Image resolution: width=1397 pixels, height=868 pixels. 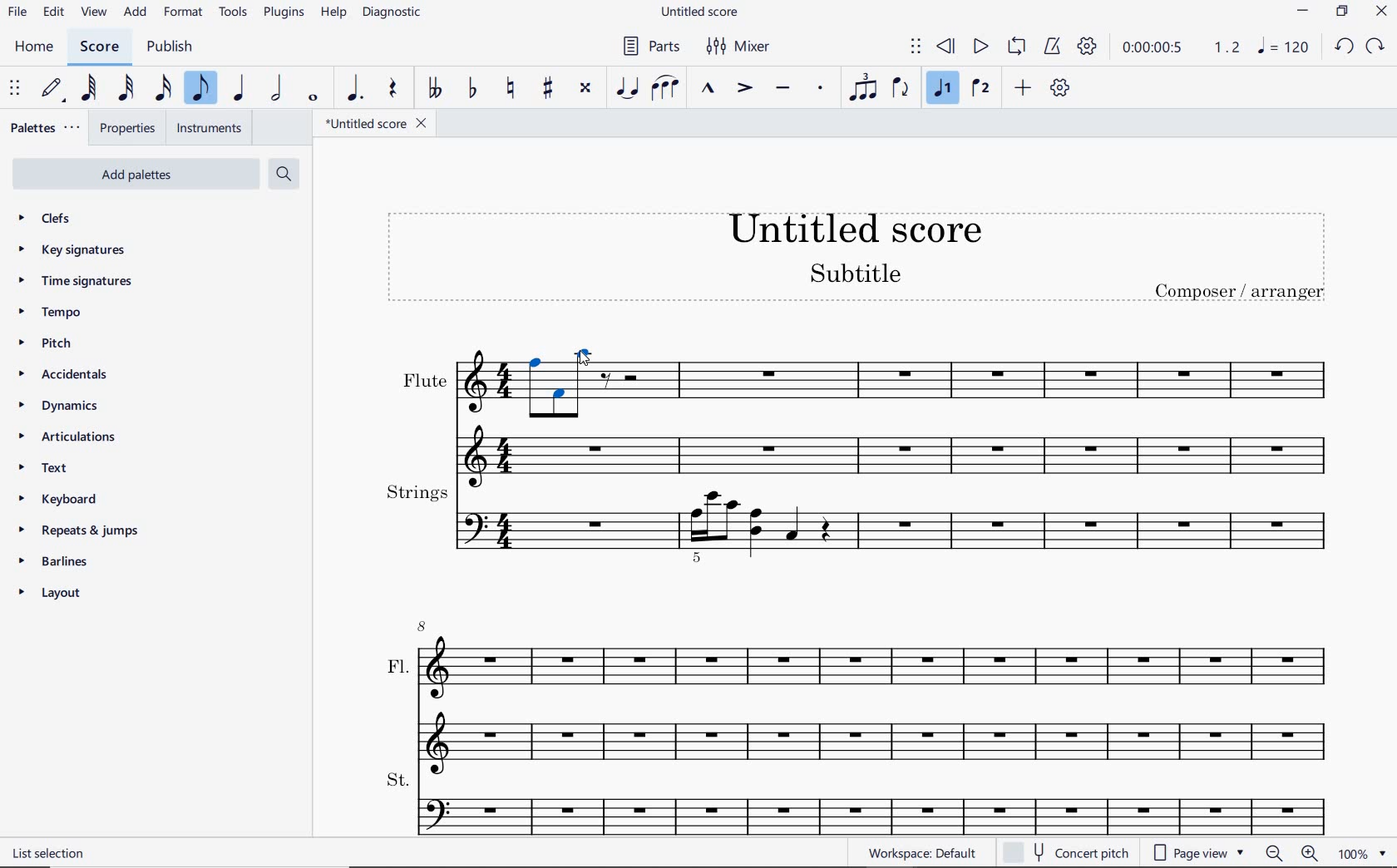 I want to click on PLUGINS, so click(x=285, y=14).